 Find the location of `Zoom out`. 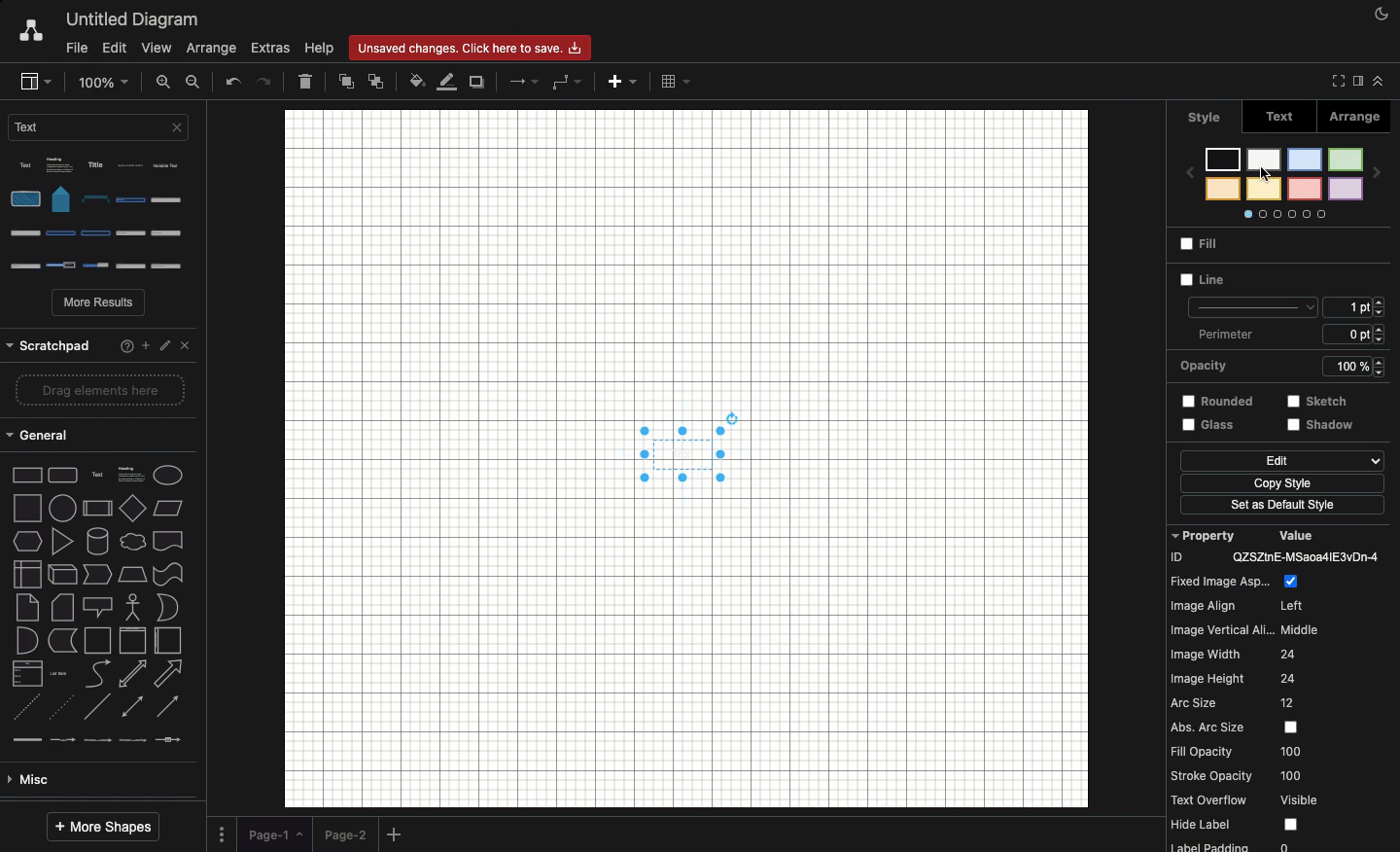

Zoom out is located at coordinates (194, 82).